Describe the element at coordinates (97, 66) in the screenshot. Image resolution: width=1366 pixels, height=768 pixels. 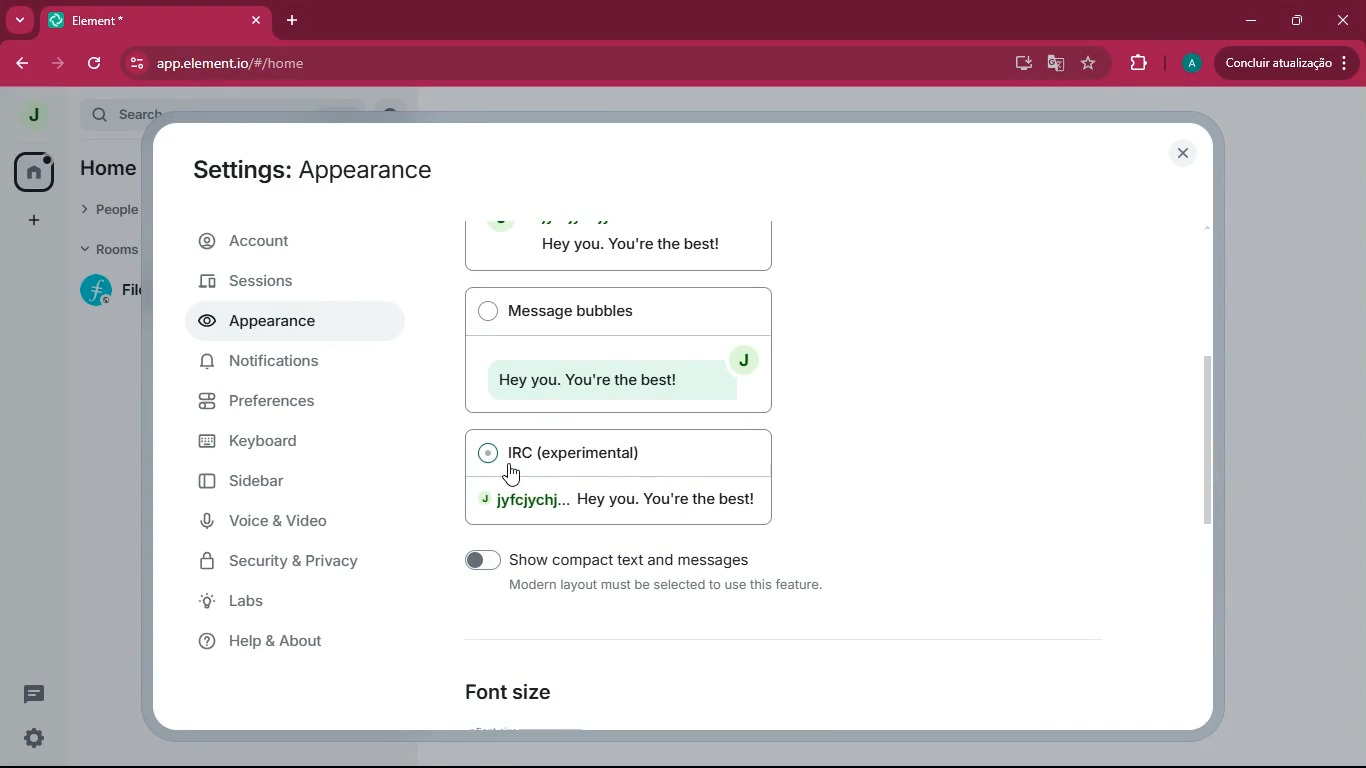
I see `refresh` at that location.